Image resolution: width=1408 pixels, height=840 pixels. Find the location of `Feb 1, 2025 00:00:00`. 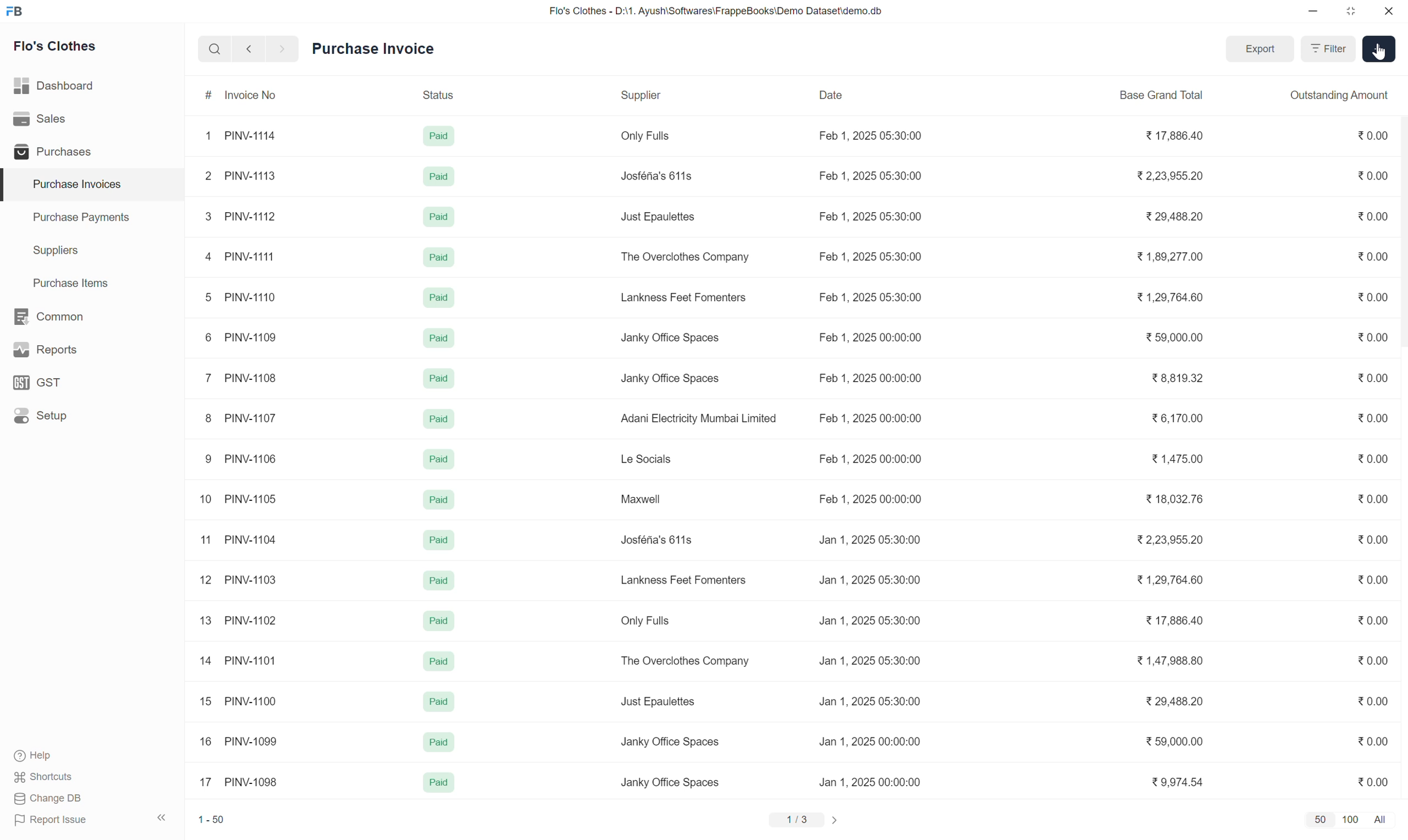

Feb 1, 2025 00:00:00 is located at coordinates (870, 499).